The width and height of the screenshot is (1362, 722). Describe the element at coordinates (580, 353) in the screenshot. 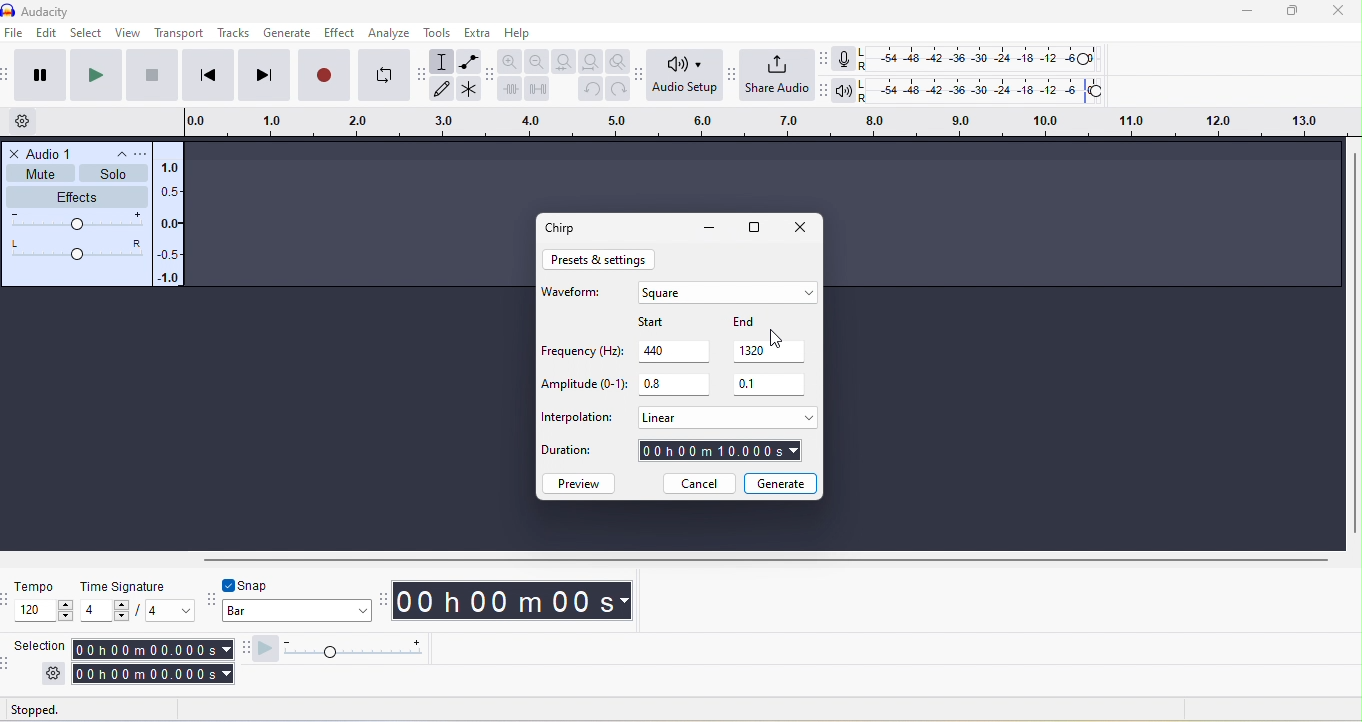

I see `frequency (Hz):` at that location.